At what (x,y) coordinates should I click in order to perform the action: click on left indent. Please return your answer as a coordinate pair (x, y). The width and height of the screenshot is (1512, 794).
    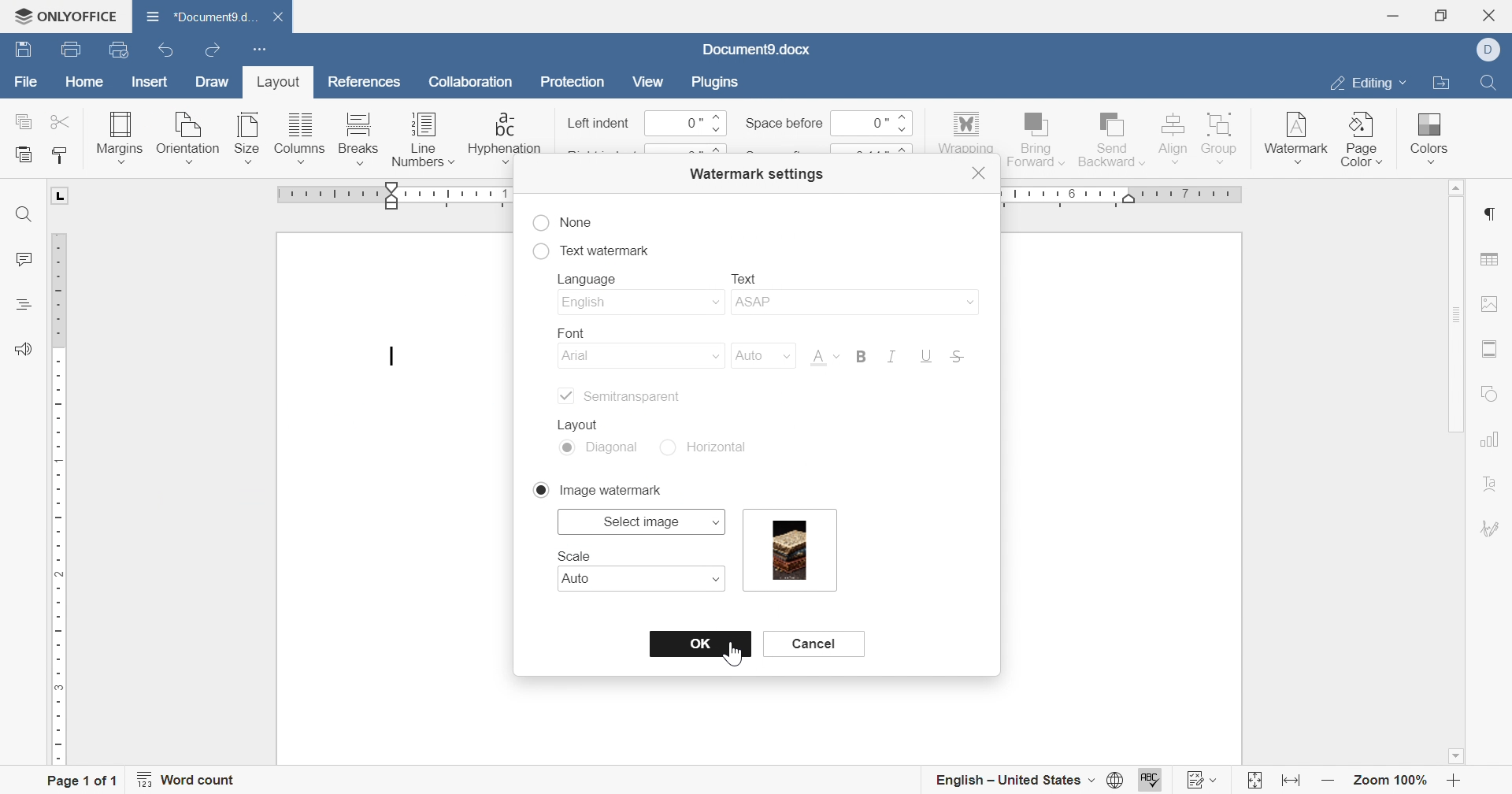
    Looking at the image, I should click on (599, 124).